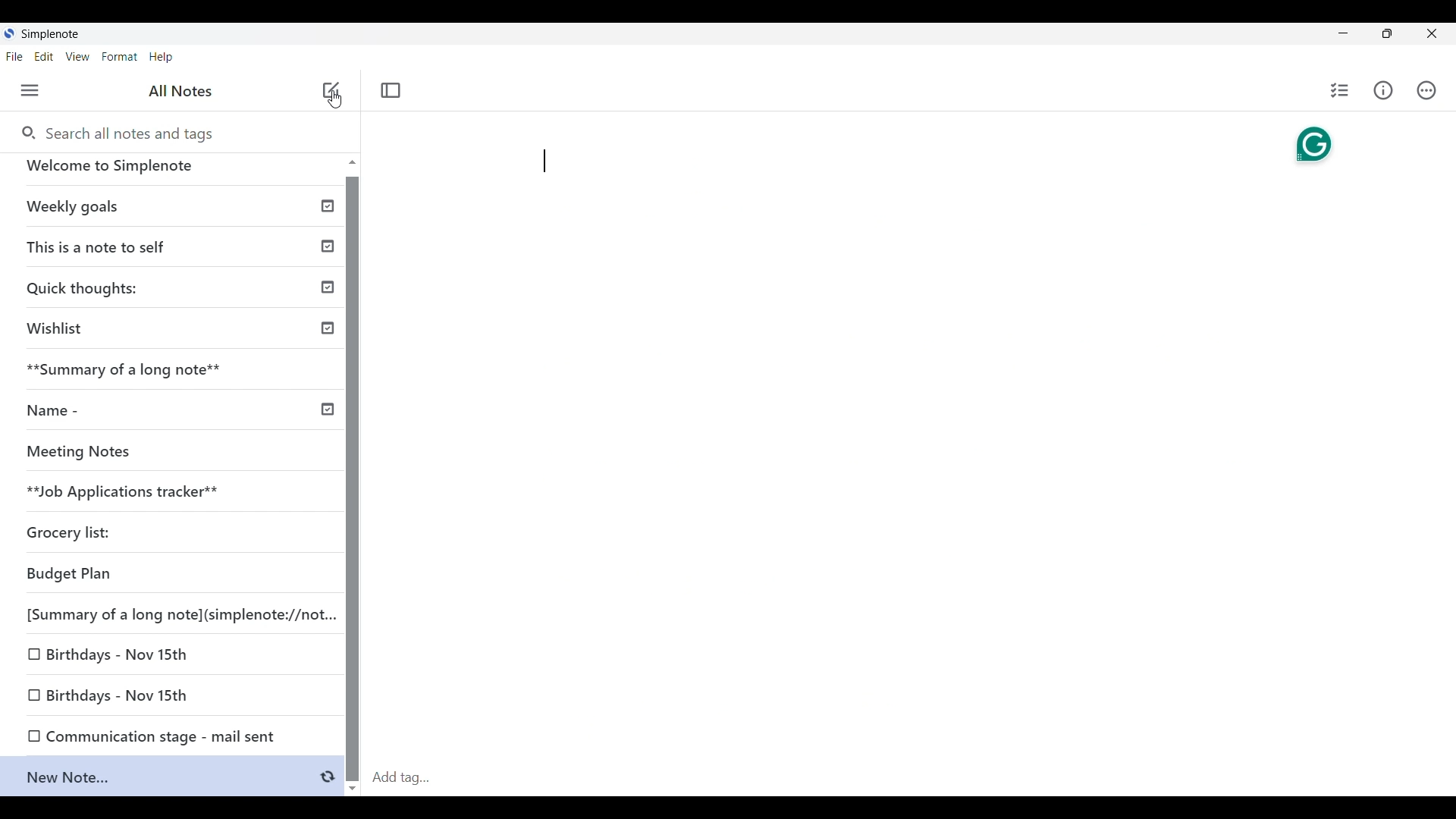 The height and width of the screenshot is (819, 1456). I want to click on Software logo, so click(9, 33).